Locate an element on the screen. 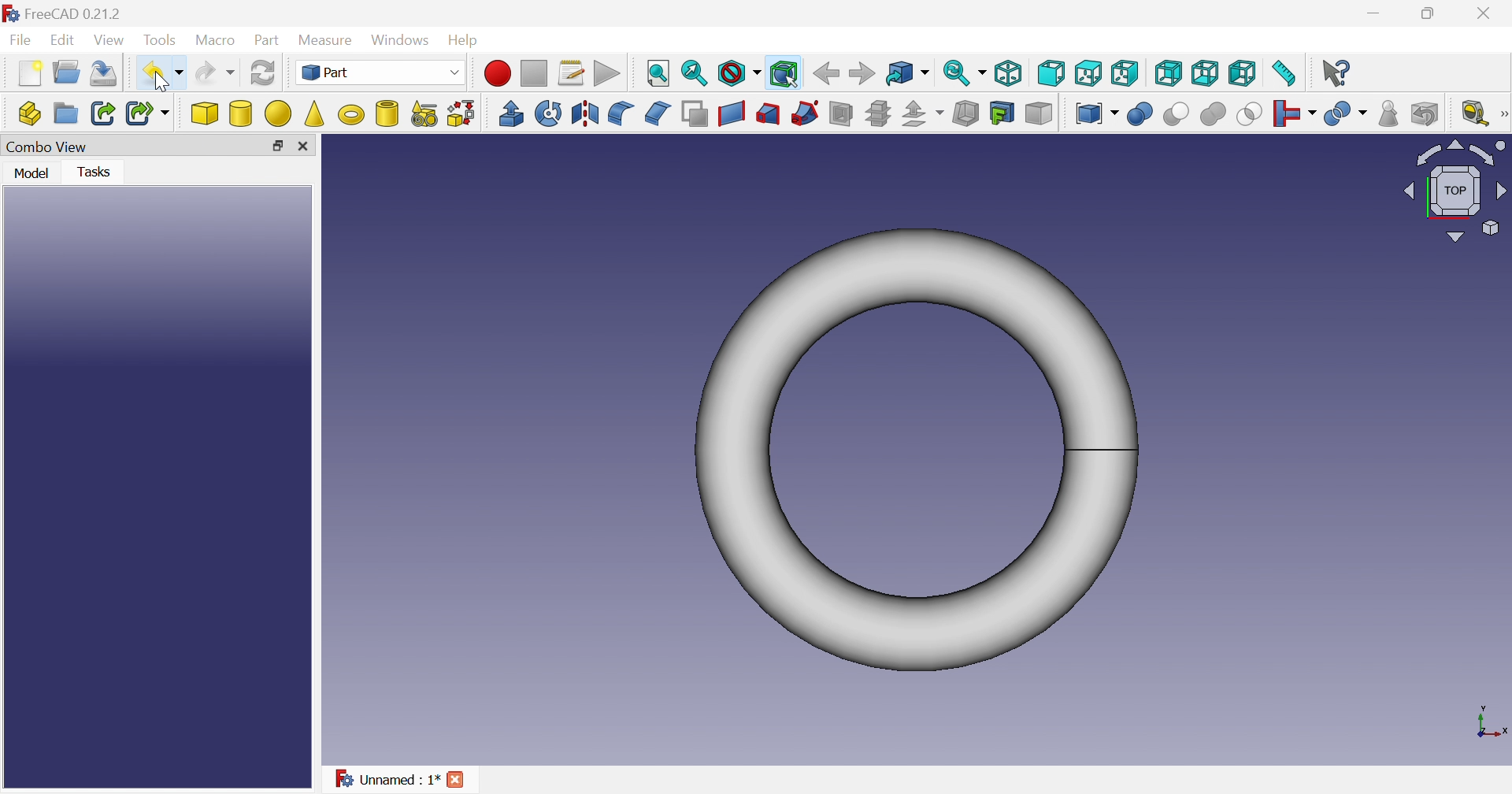 Image resolution: width=1512 pixels, height=794 pixels. Draw style is located at coordinates (739, 73).